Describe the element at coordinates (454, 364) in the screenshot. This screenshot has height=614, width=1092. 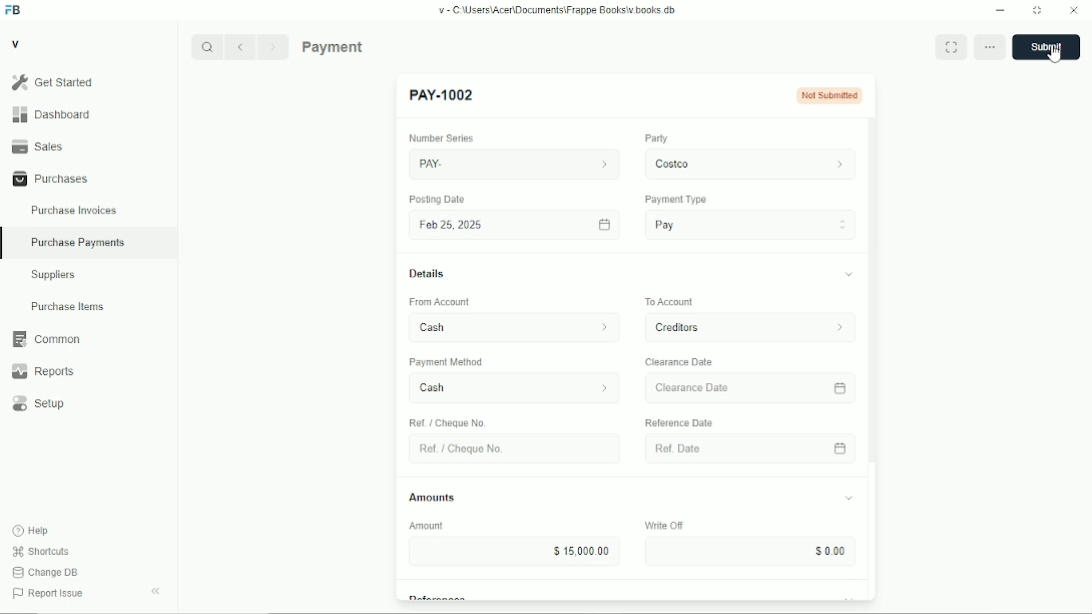
I see `‘Payment Method` at that location.